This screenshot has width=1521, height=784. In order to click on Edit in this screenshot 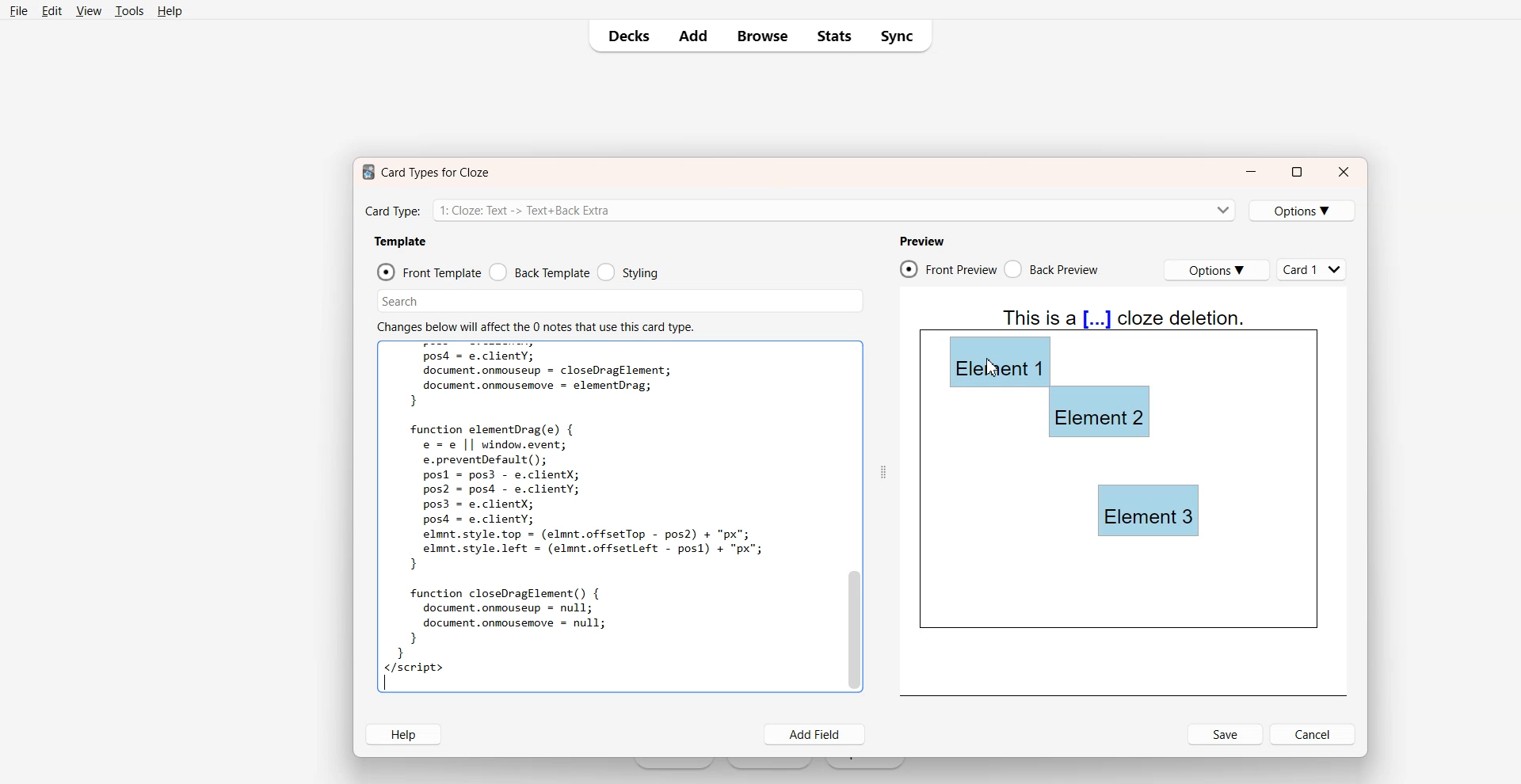, I will do `click(51, 10)`.